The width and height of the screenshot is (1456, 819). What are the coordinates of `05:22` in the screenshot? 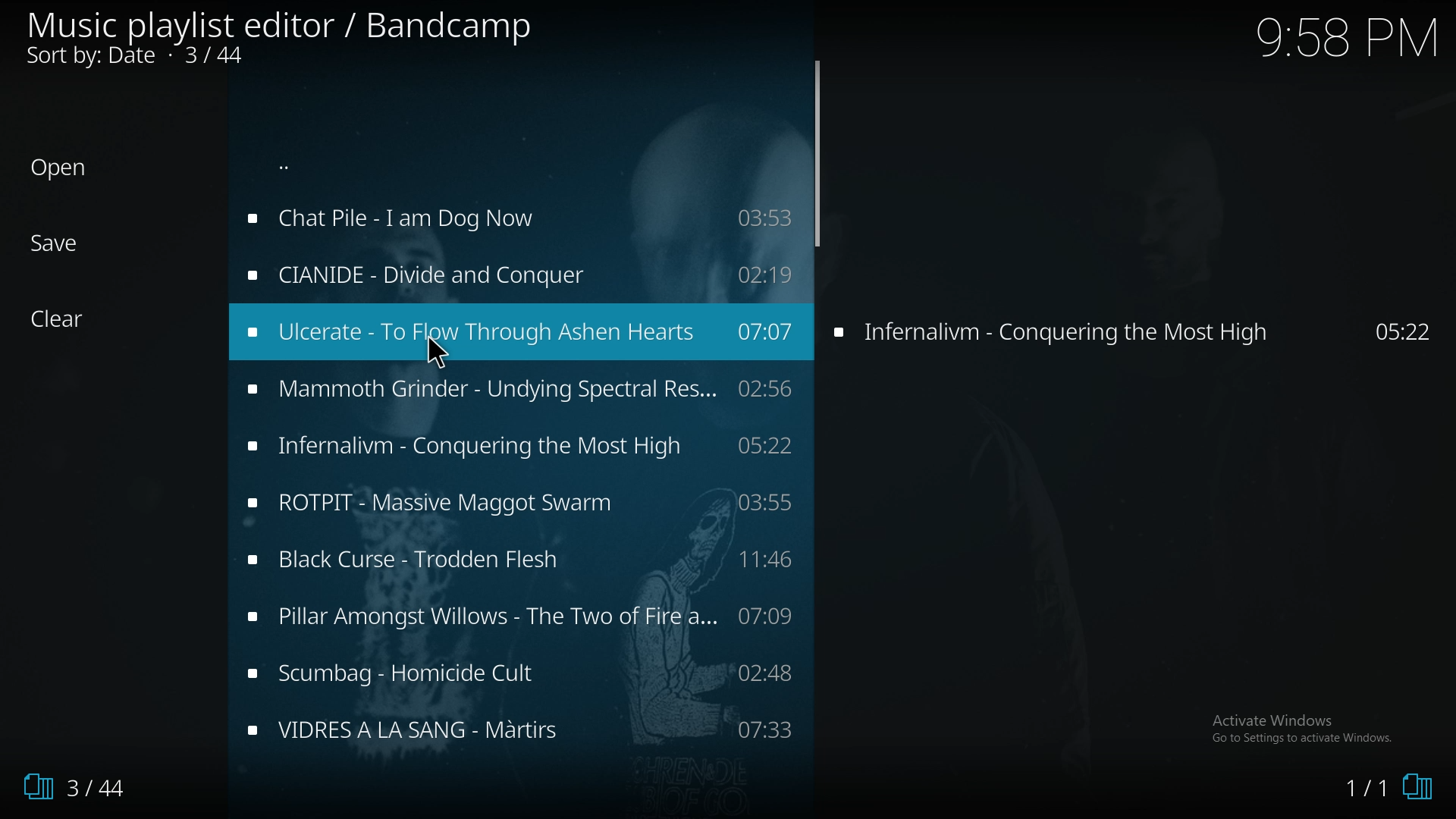 It's located at (1404, 332).